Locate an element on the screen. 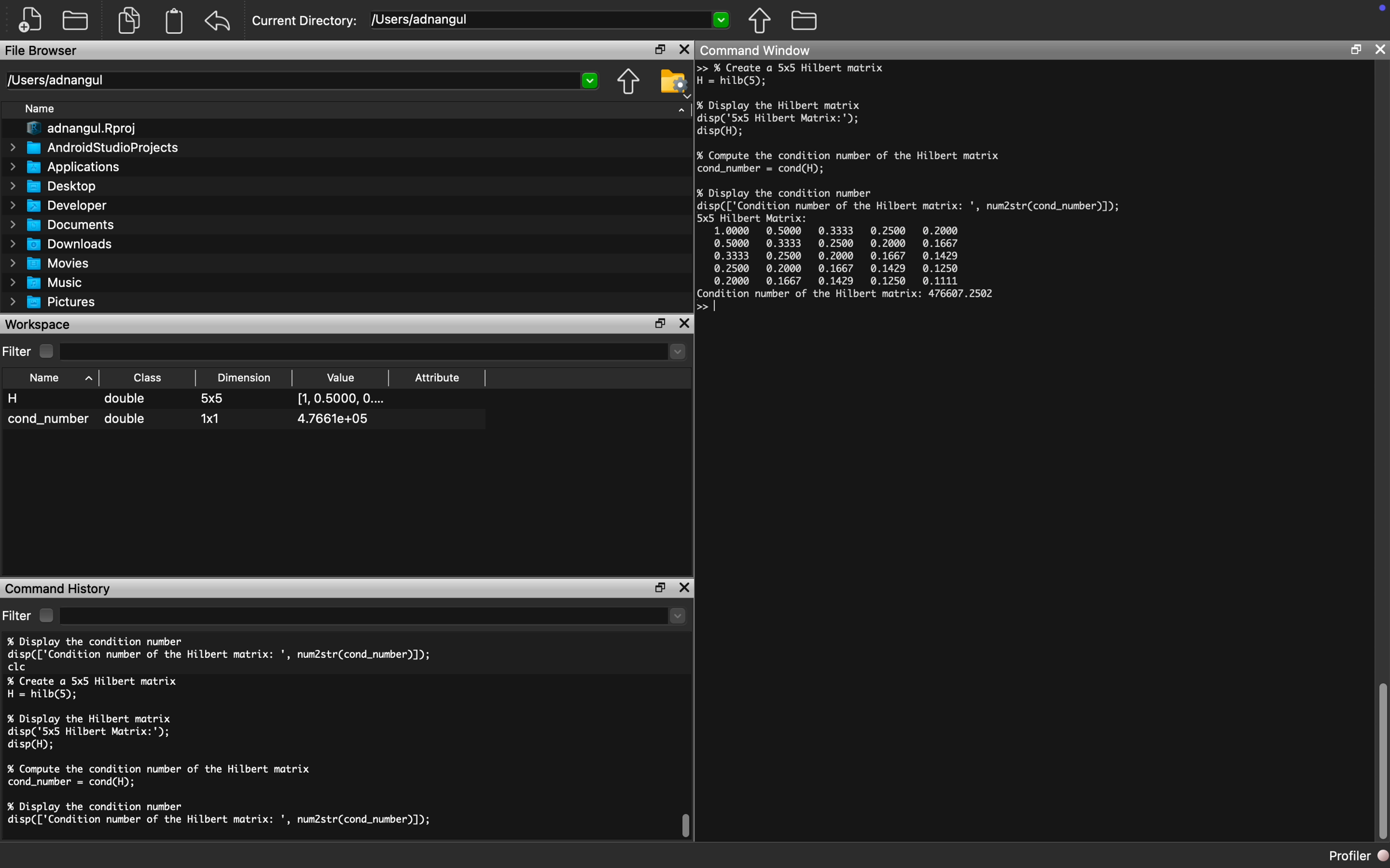 The height and width of the screenshot is (868, 1390). dropdown is located at coordinates (375, 617).